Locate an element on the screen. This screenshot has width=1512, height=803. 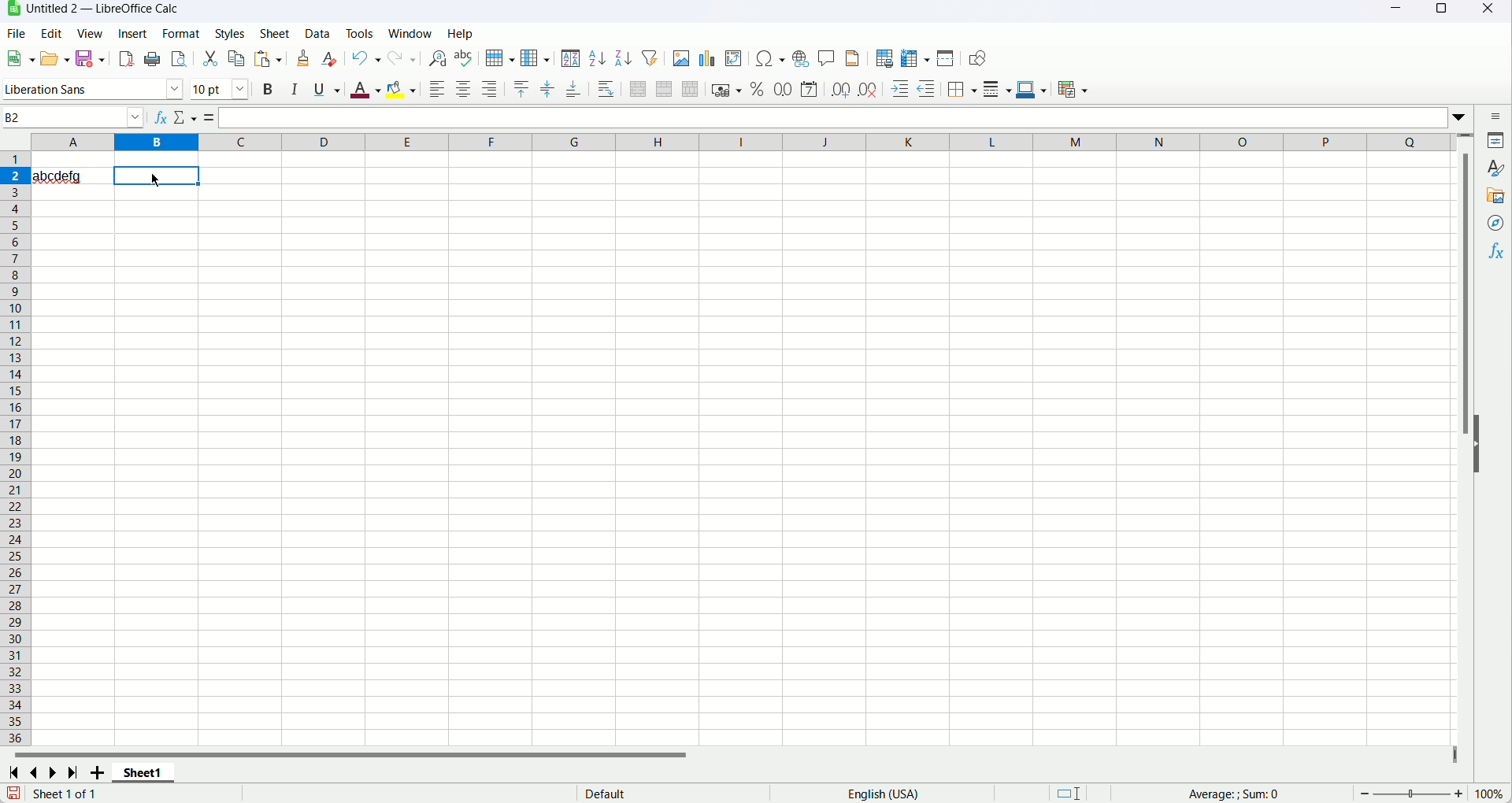
underline is located at coordinates (326, 92).